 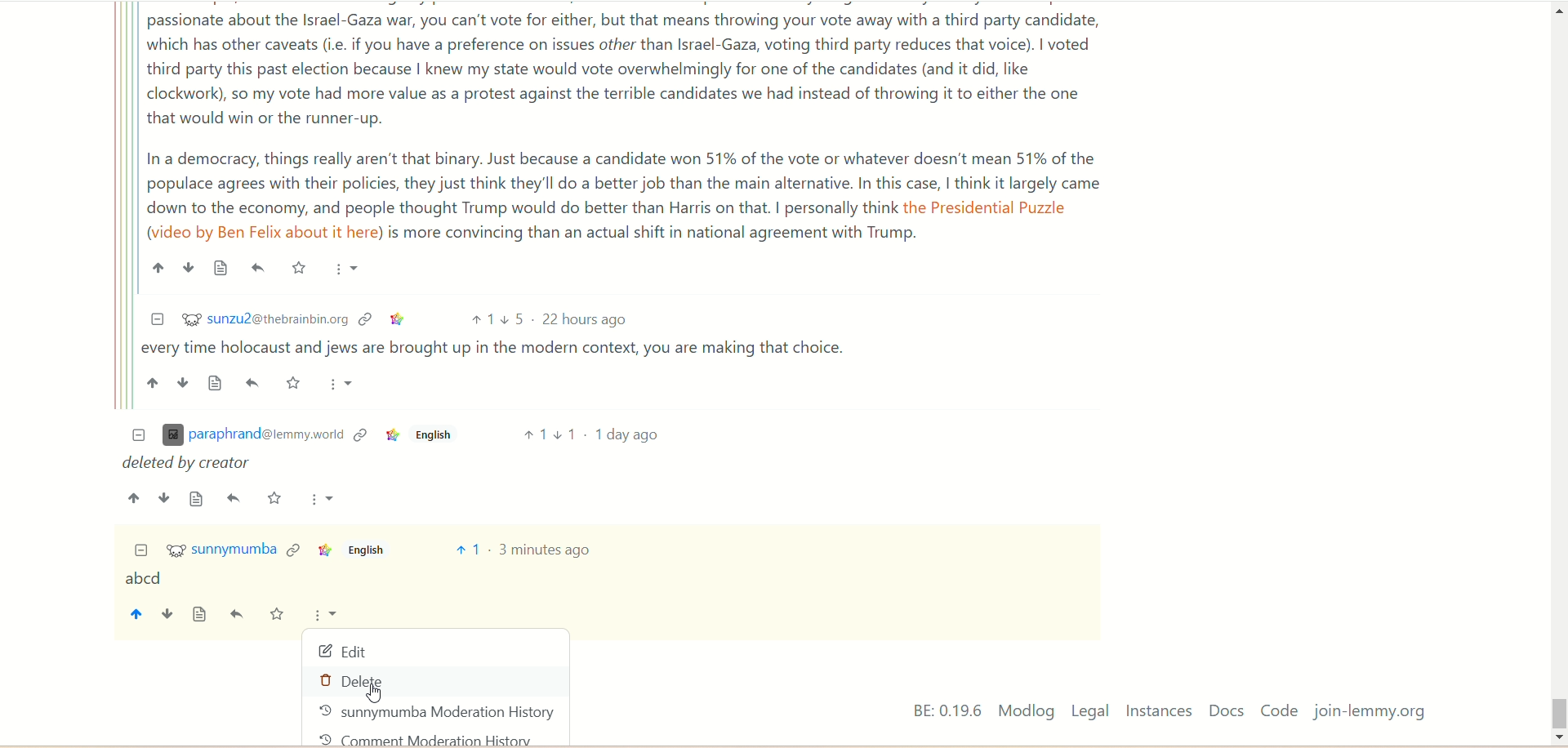 What do you see at coordinates (1370, 712) in the screenshot?
I see `join-lemmy.org` at bounding box center [1370, 712].